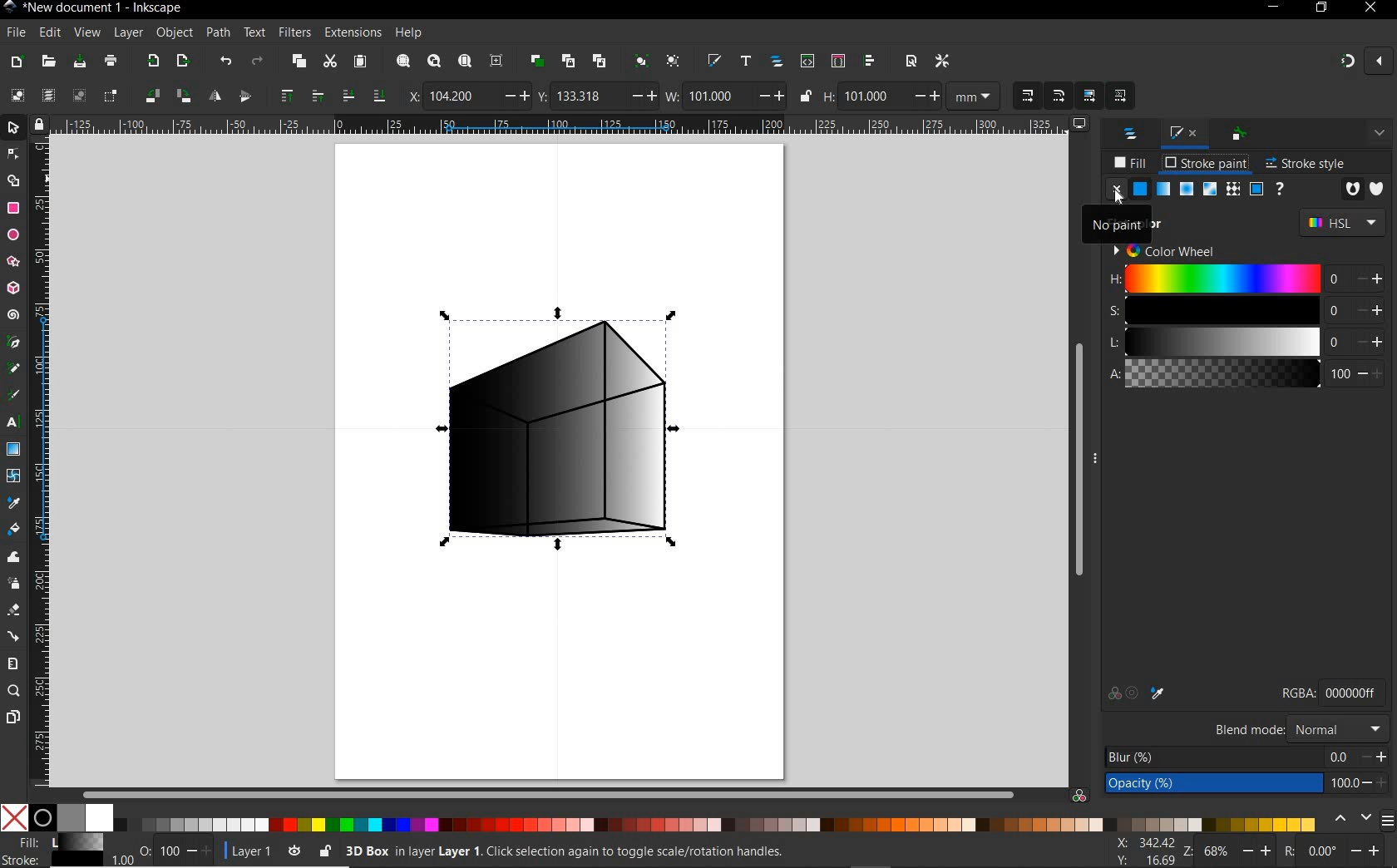 Image resolution: width=1397 pixels, height=868 pixels. I want to click on OPEN XML EDITOR, so click(809, 60).